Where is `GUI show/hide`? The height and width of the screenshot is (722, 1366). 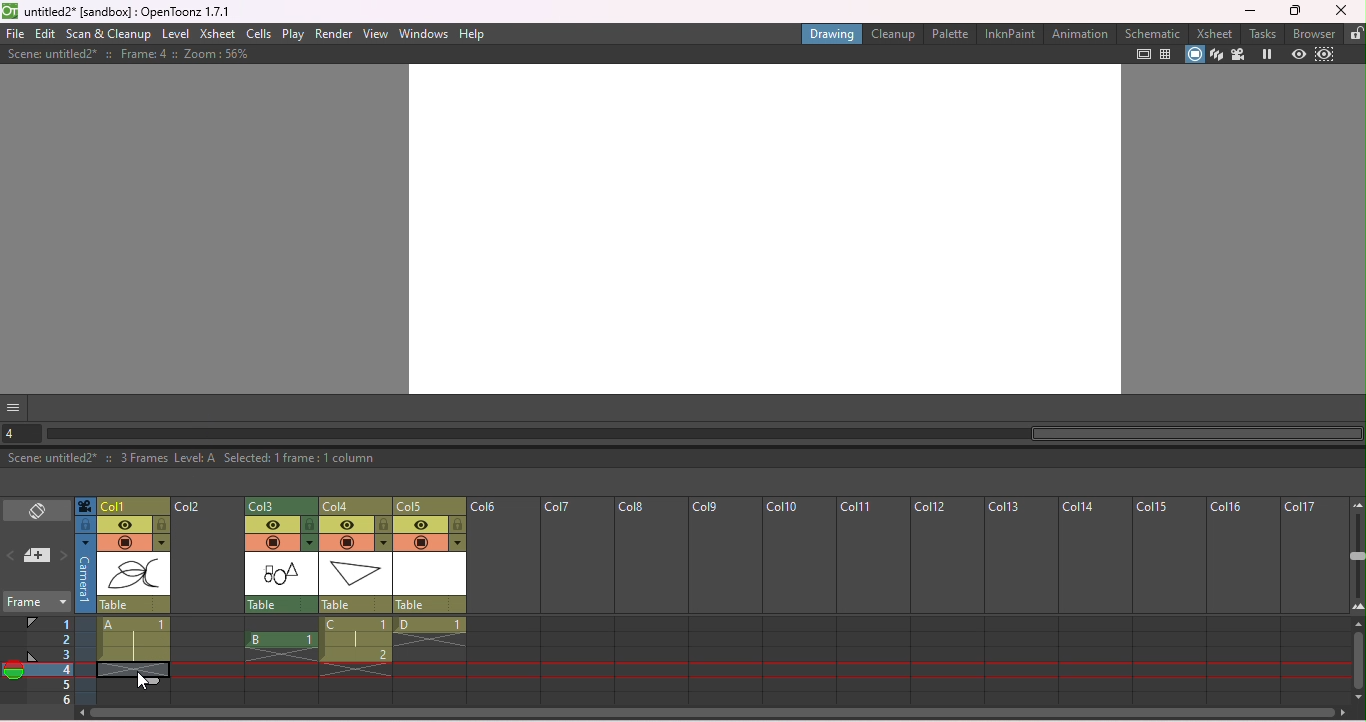 GUI show/hide is located at coordinates (15, 407).